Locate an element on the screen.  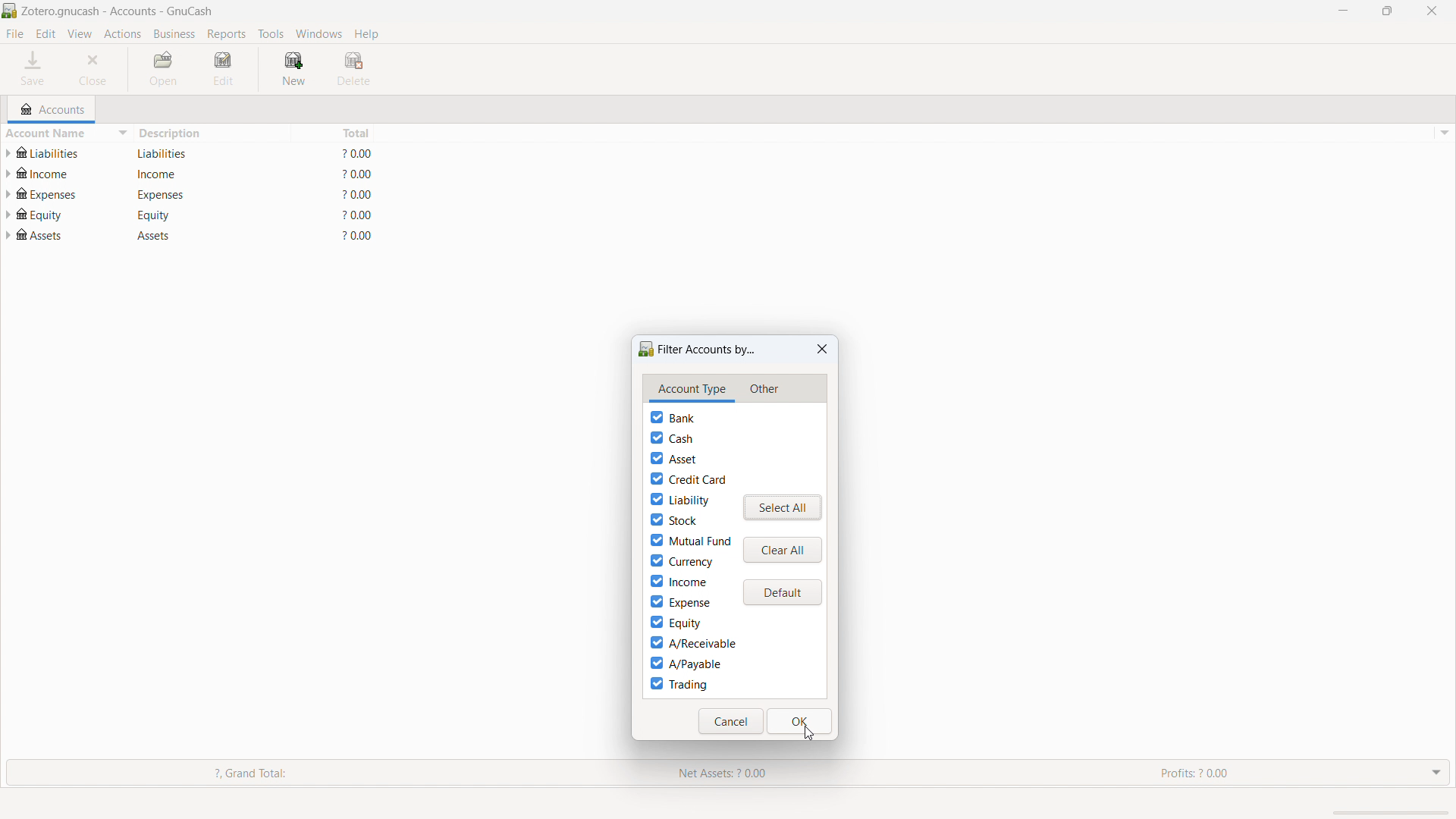
A/receivable is located at coordinates (694, 643).